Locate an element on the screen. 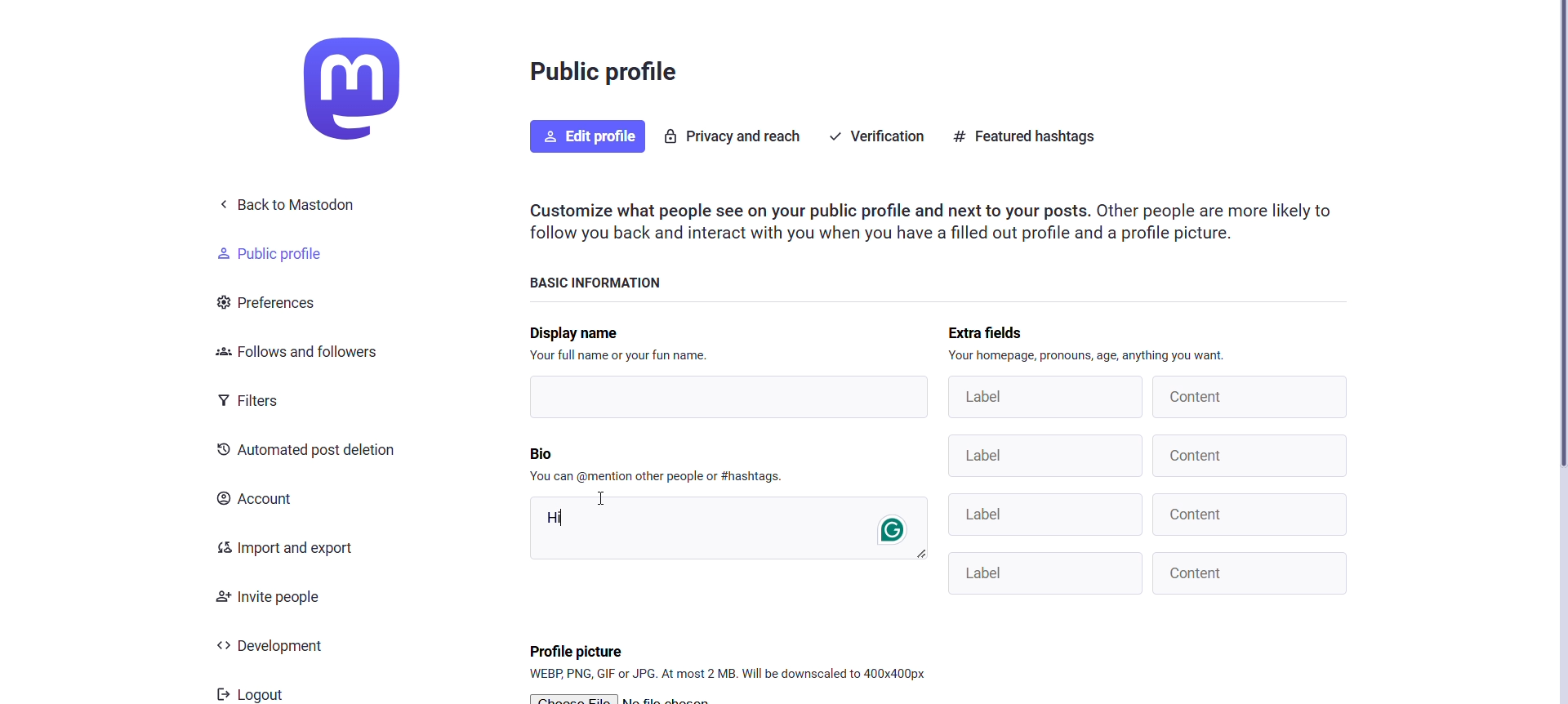  Account is located at coordinates (264, 501).